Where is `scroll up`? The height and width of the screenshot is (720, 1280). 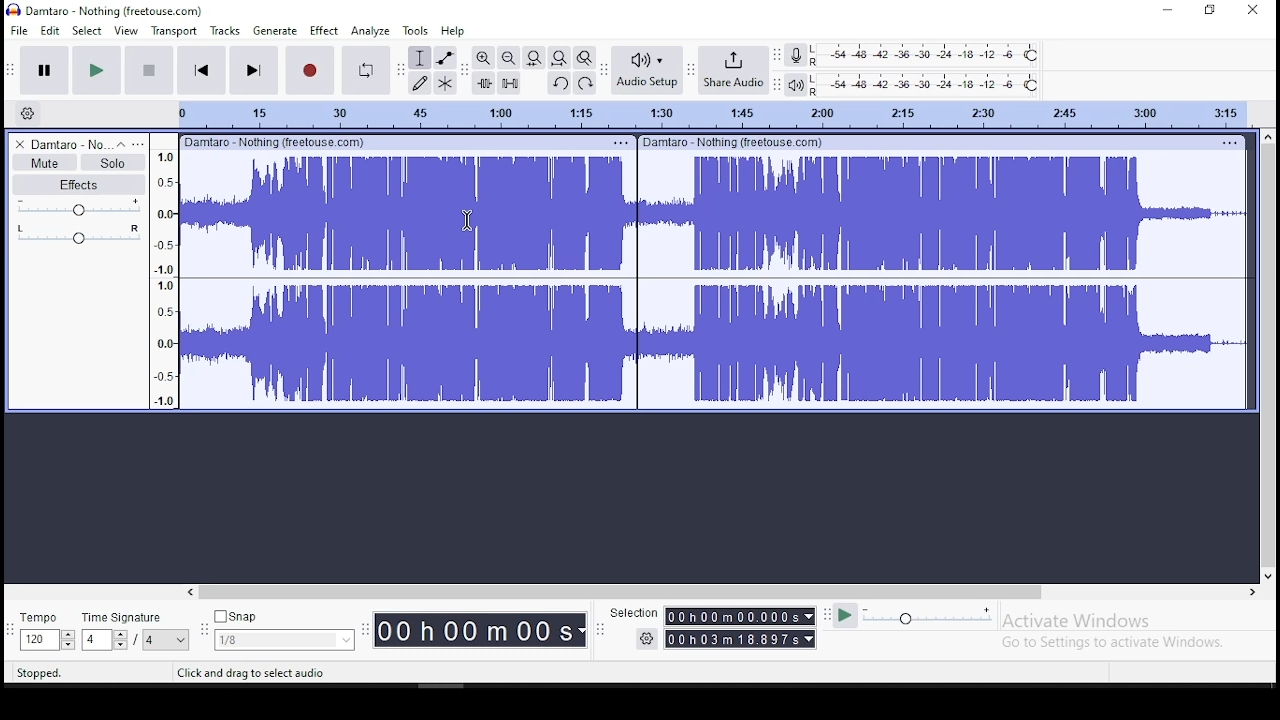 scroll up is located at coordinates (1270, 135).